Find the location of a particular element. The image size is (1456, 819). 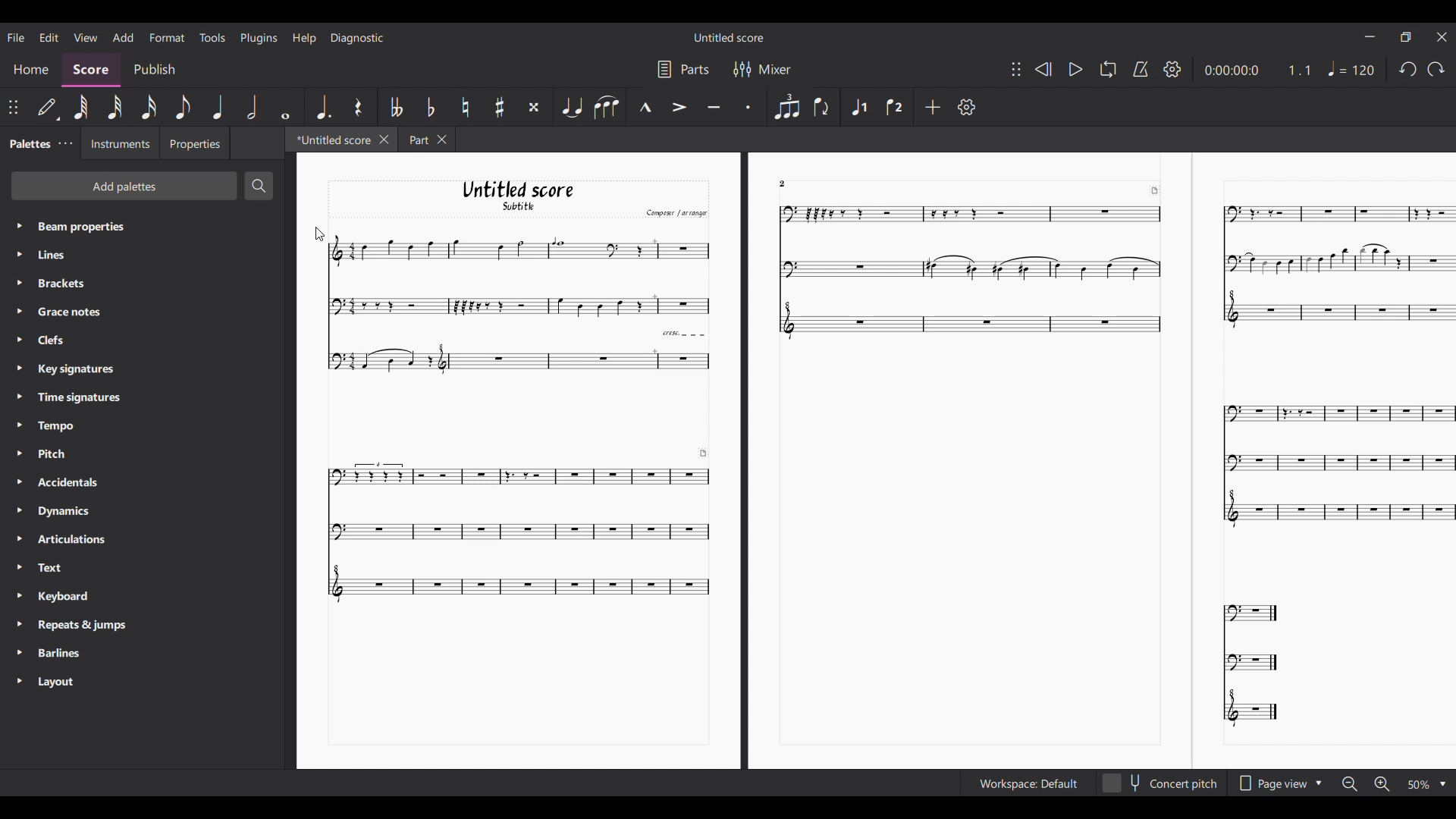

 is located at coordinates (522, 531).